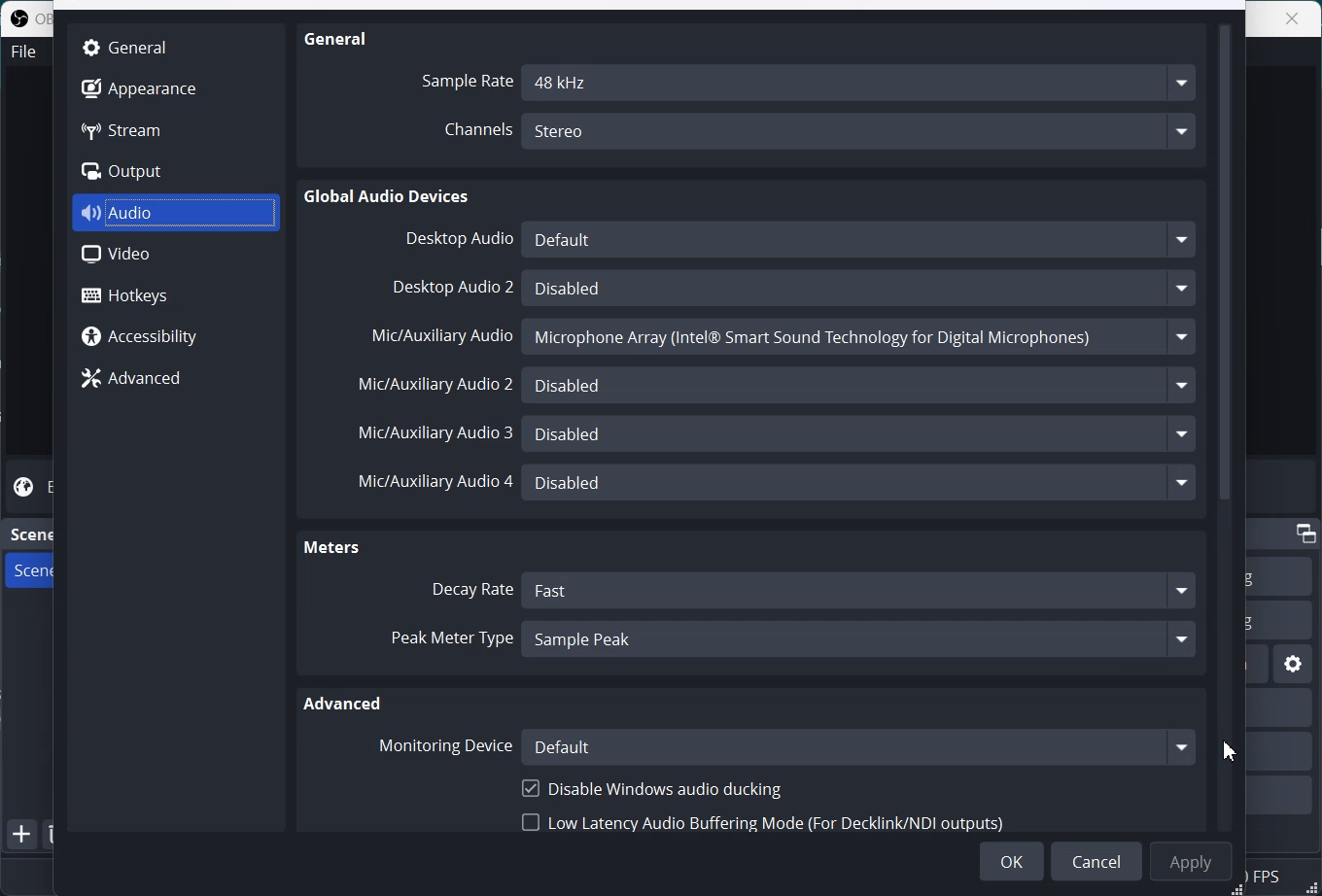 This screenshot has height=896, width=1322. Describe the element at coordinates (863, 486) in the screenshot. I see `Disabled` at that location.